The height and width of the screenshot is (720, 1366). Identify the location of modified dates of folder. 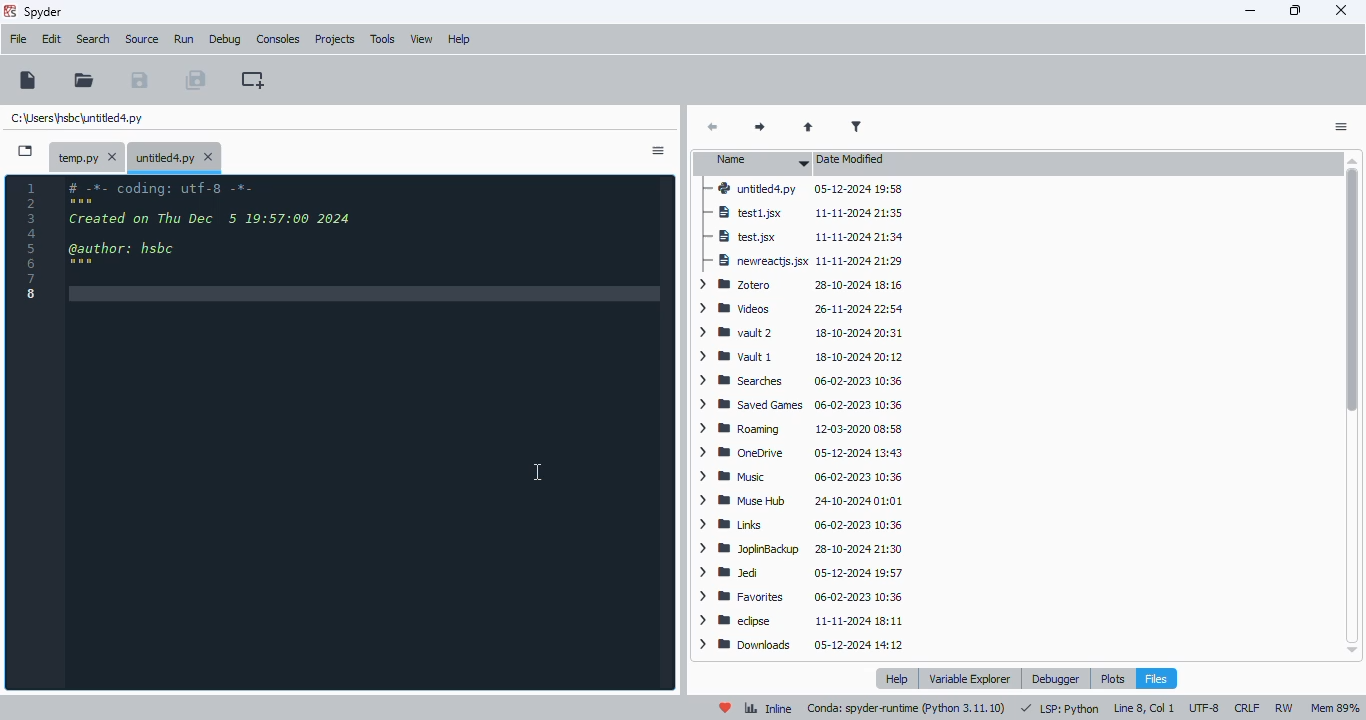
(876, 419).